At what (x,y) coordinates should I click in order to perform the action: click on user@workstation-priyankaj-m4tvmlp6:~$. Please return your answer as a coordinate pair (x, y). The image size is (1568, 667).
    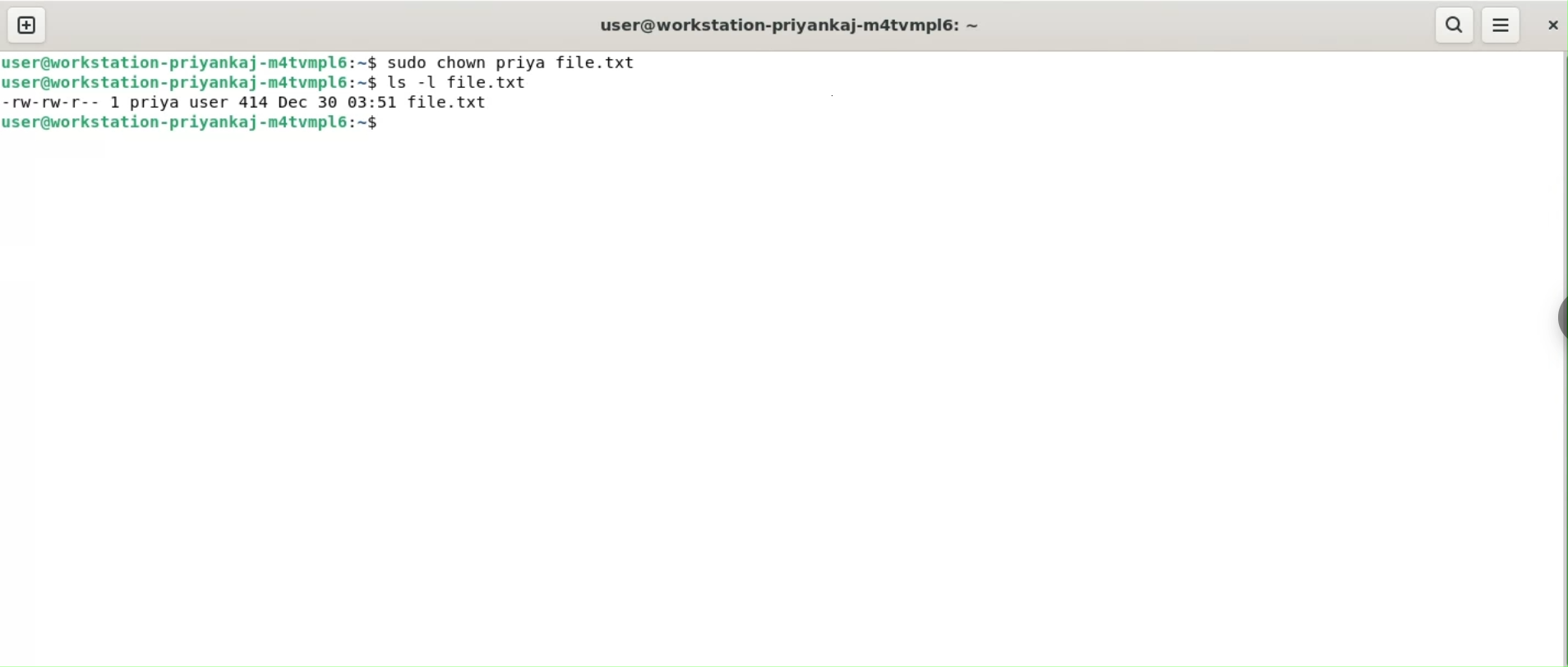
    Looking at the image, I should click on (191, 61).